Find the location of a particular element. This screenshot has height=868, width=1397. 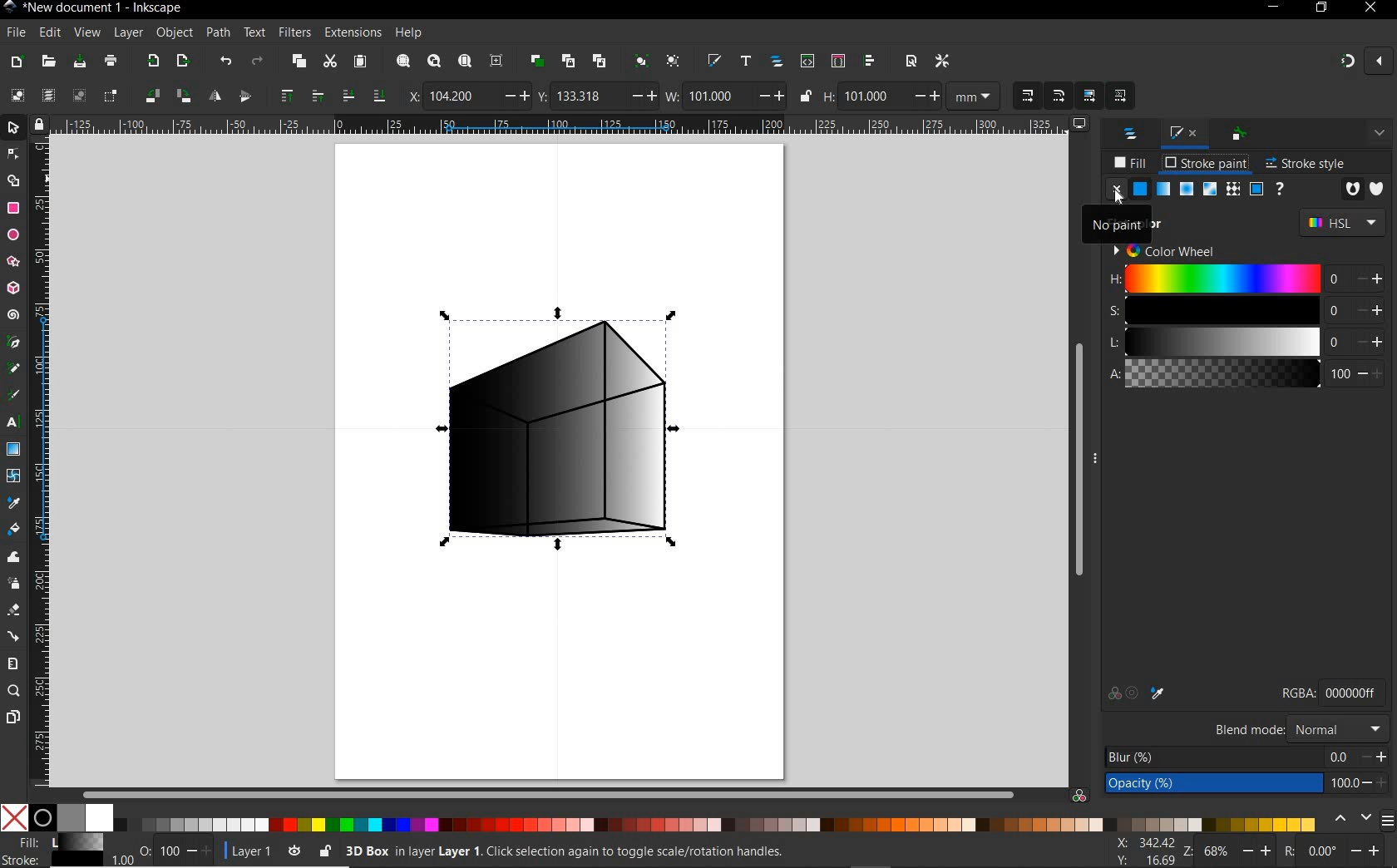

OPEN TEXT is located at coordinates (748, 62).